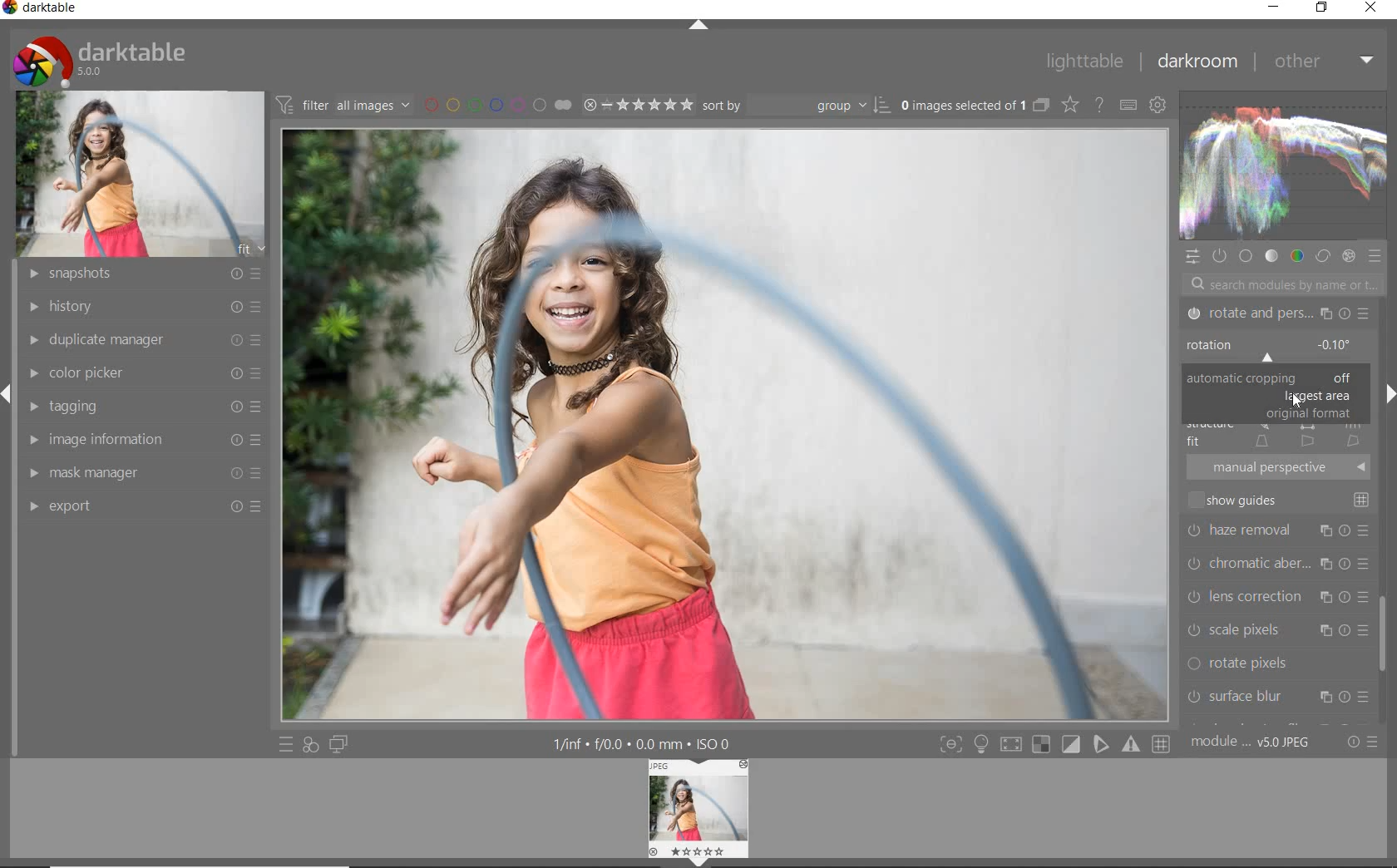 The height and width of the screenshot is (868, 1397). What do you see at coordinates (1156, 102) in the screenshot?
I see `show global preference` at bounding box center [1156, 102].